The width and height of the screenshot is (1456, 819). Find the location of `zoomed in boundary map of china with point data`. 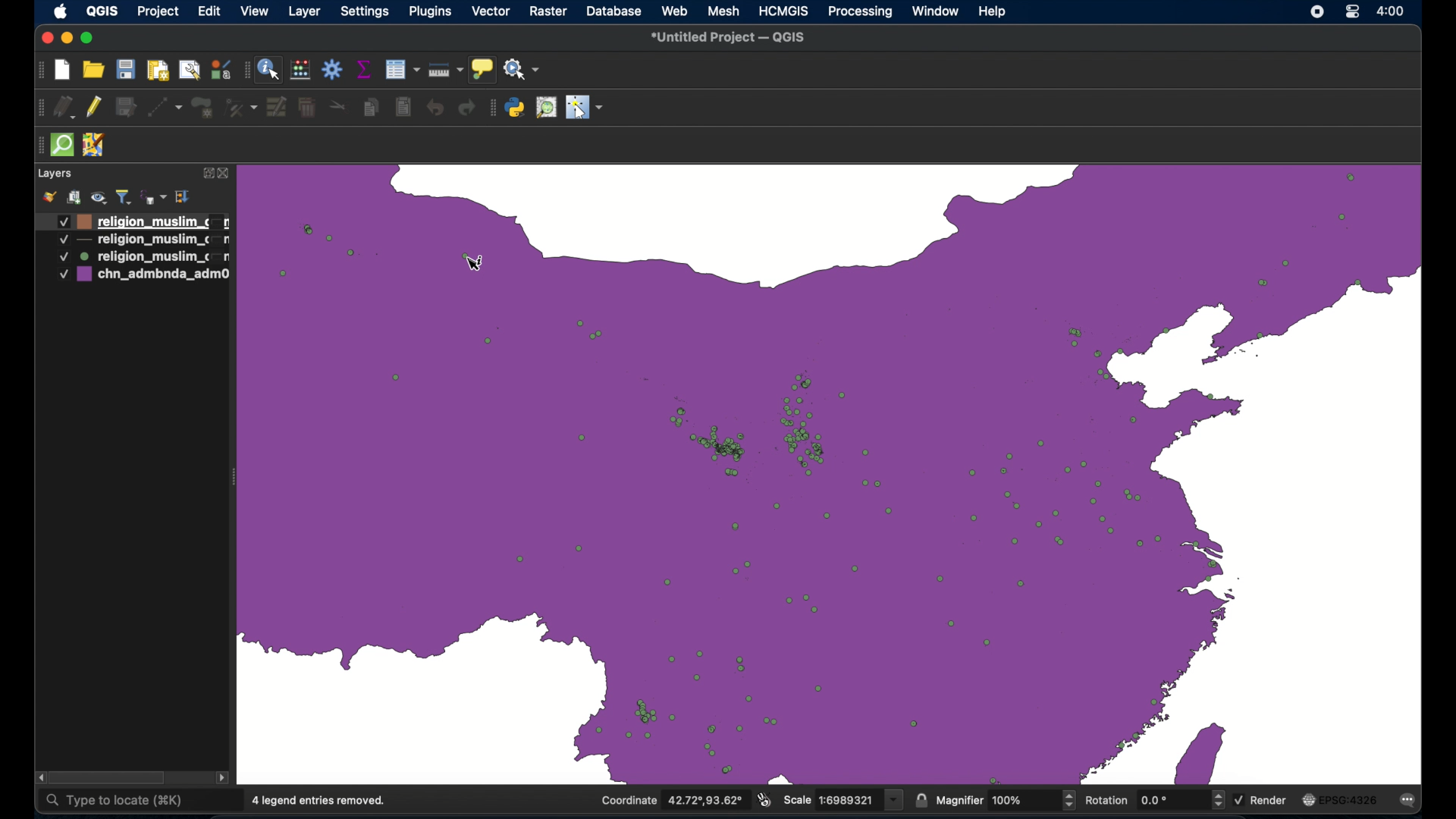

zoomed in boundary map of china with point data is located at coordinates (830, 471).